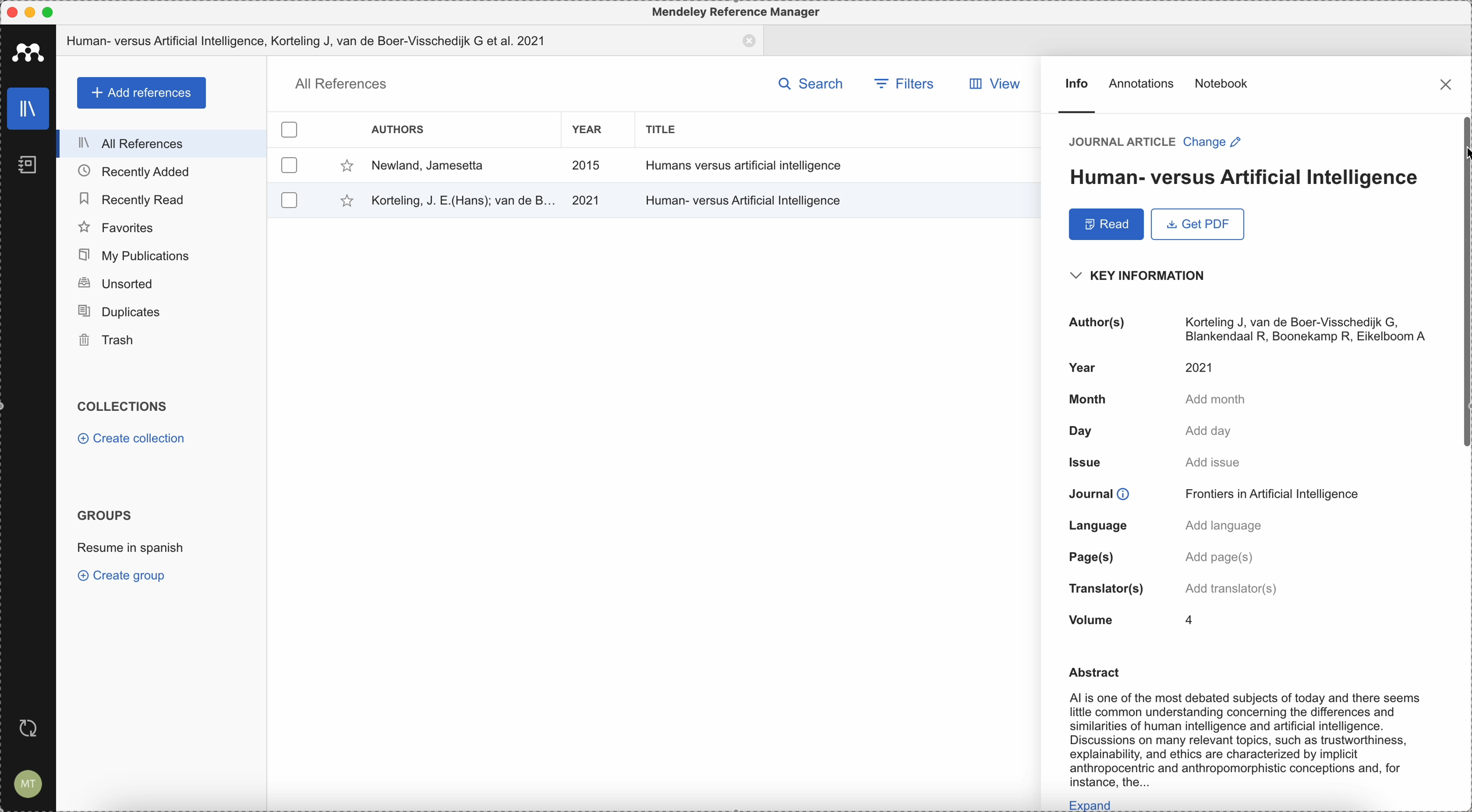  I want to click on create collection, so click(131, 439).